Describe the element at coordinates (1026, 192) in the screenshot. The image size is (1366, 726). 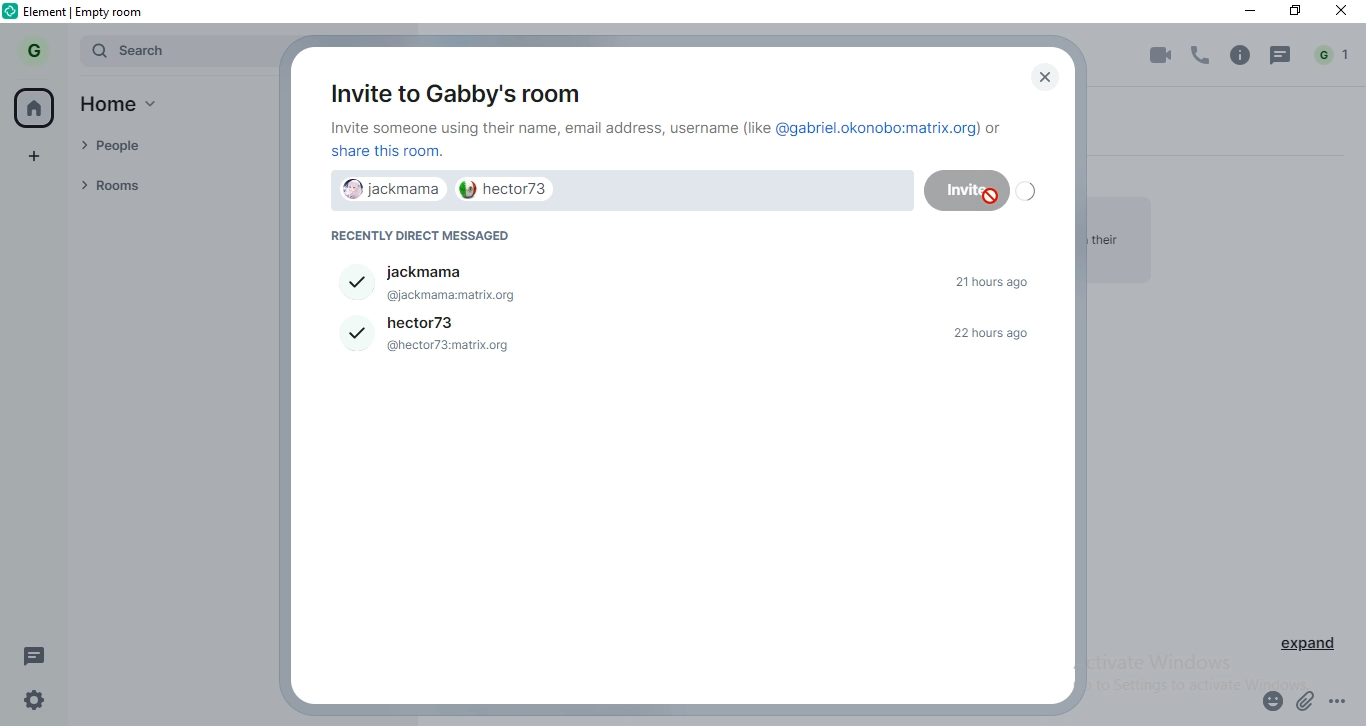
I see `loading bar` at that location.